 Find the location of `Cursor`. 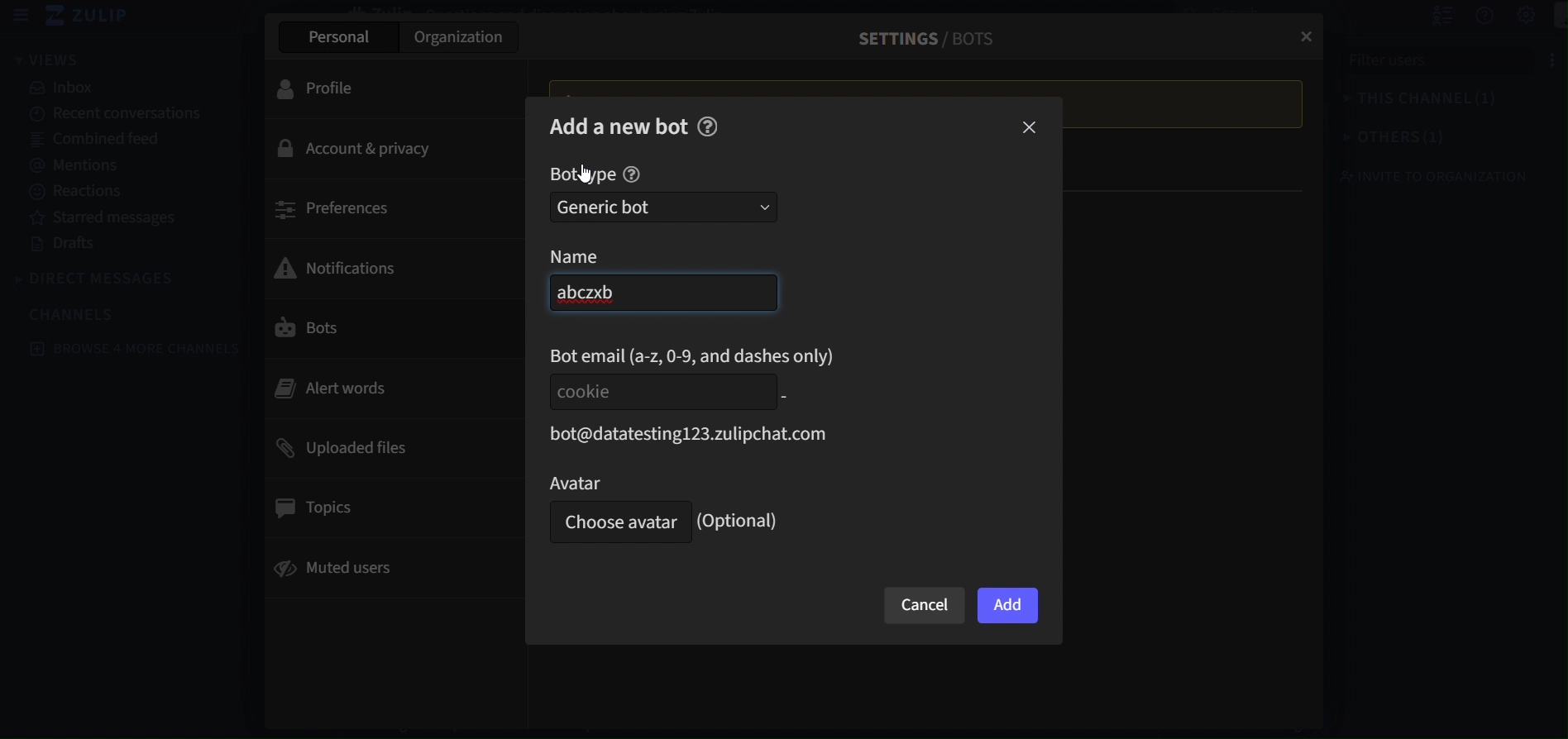

Cursor is located at coordinates (586, 174).